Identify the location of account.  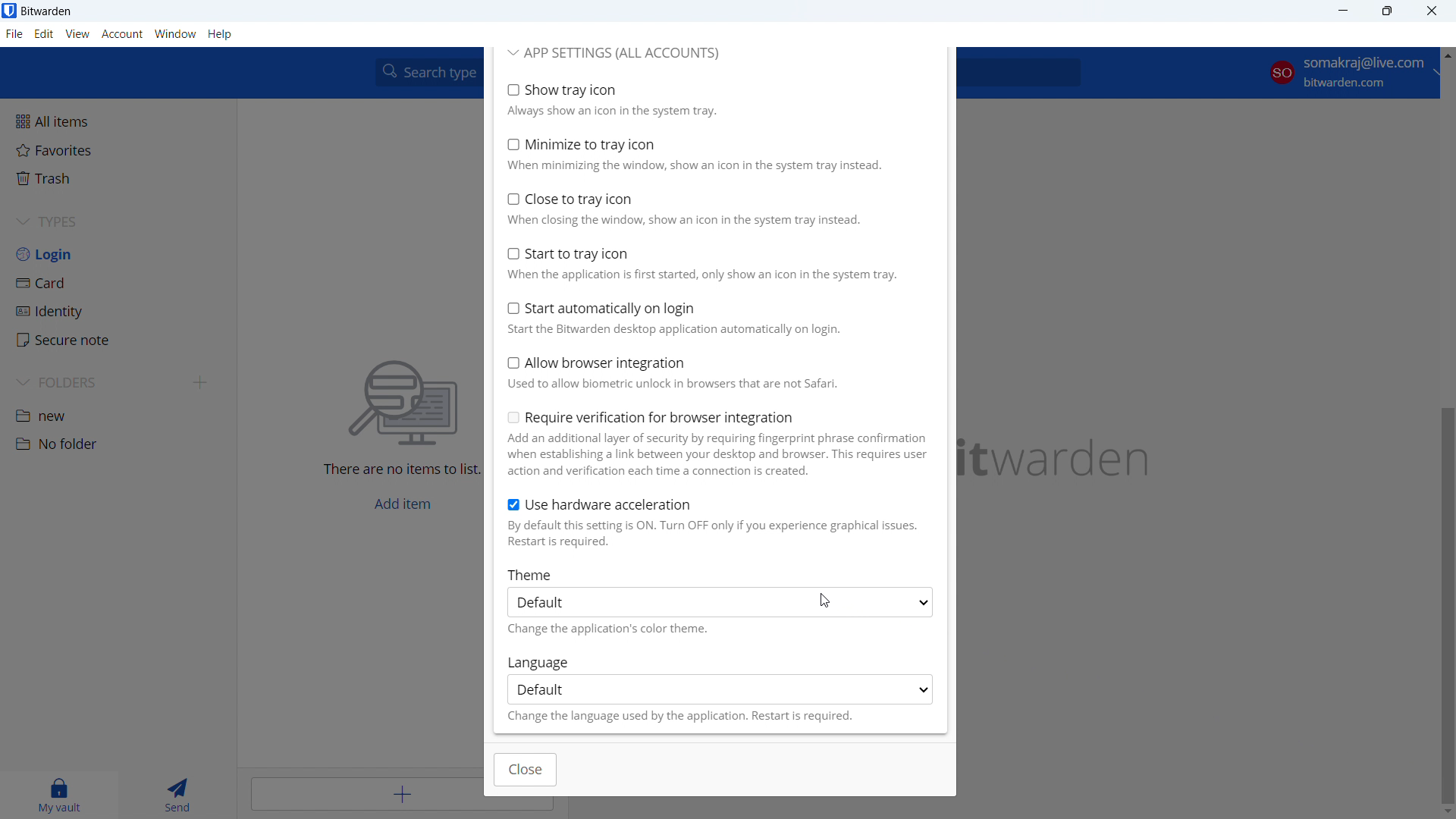
(1347, 75).